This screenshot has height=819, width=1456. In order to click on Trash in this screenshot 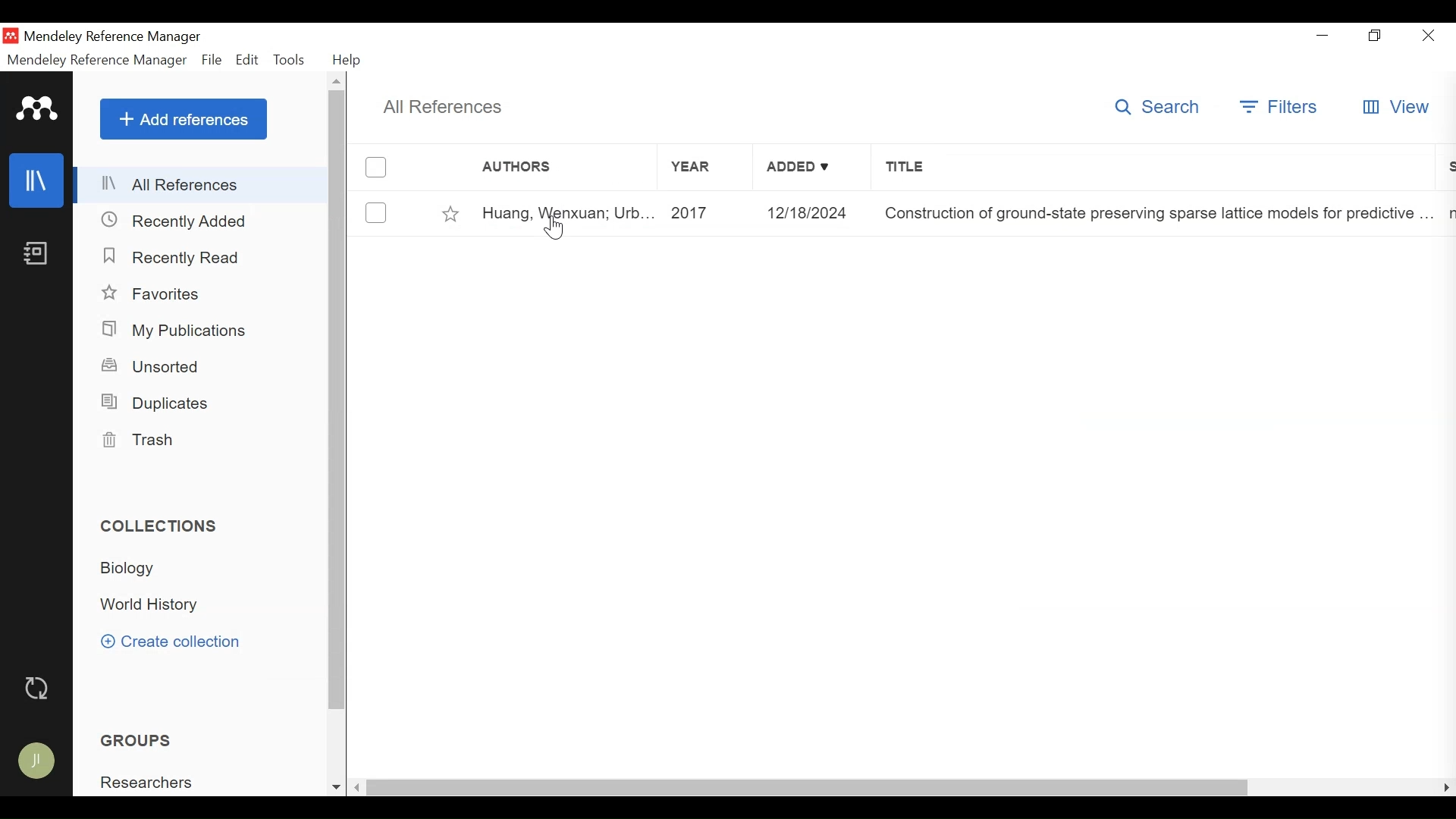, I will do `click(140, 441)`.